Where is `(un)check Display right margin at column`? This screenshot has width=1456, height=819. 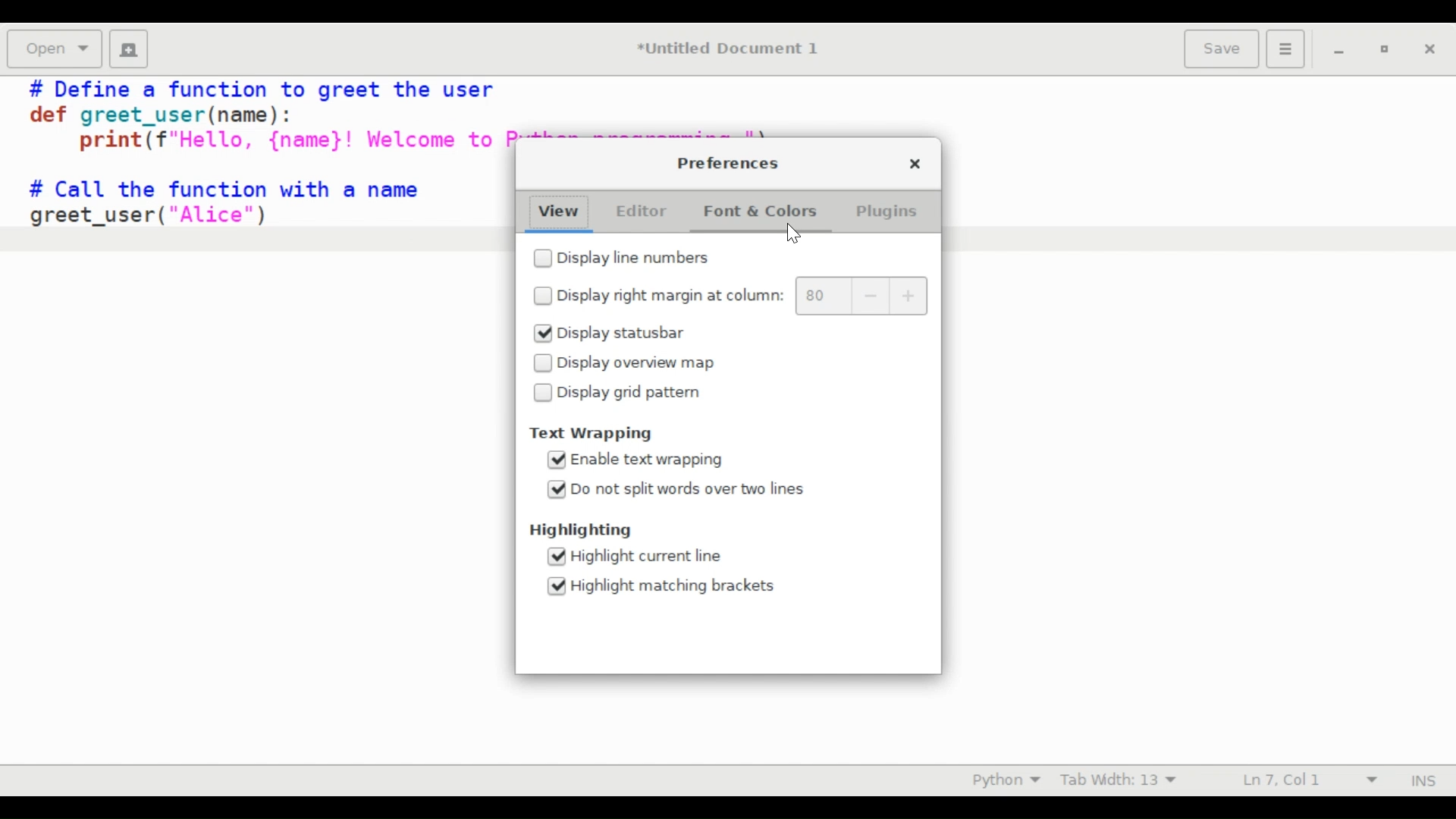
(un)check Display right margin at column is located at coordinates (658, 295).